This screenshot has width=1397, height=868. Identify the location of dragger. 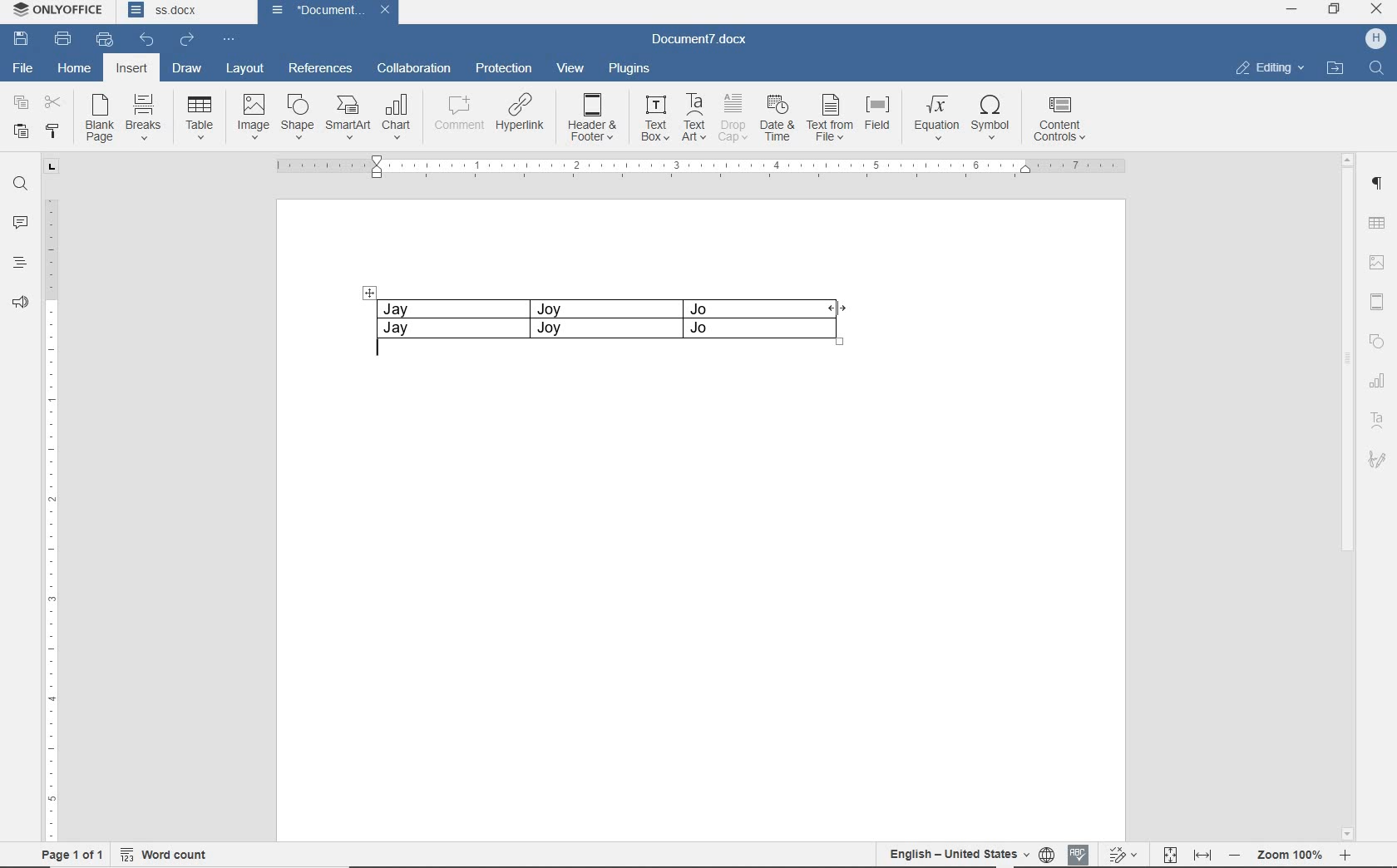
(369, 292).